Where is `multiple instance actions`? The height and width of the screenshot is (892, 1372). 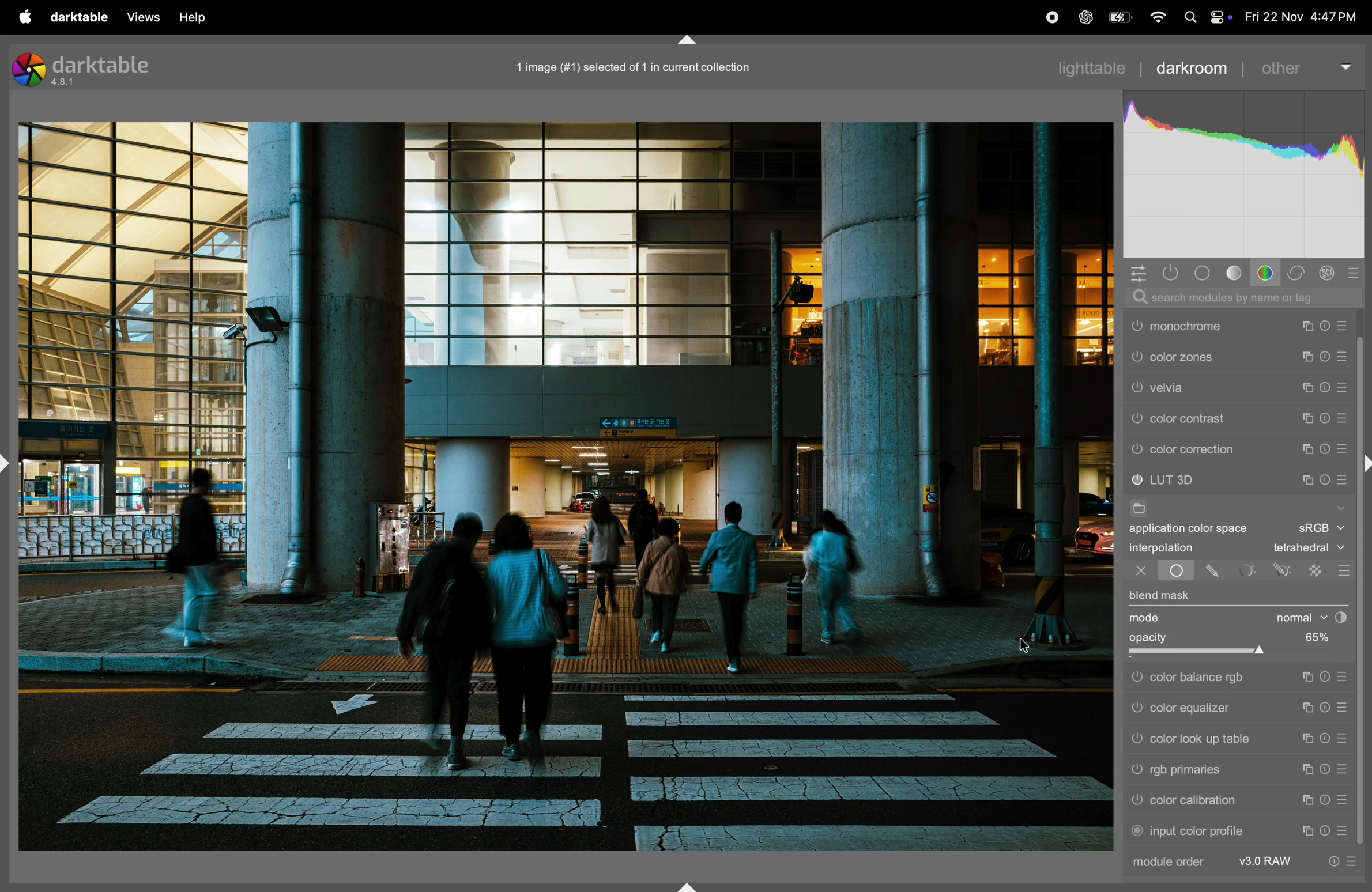
multiple instance actions is located at coordinates (1309, 678).